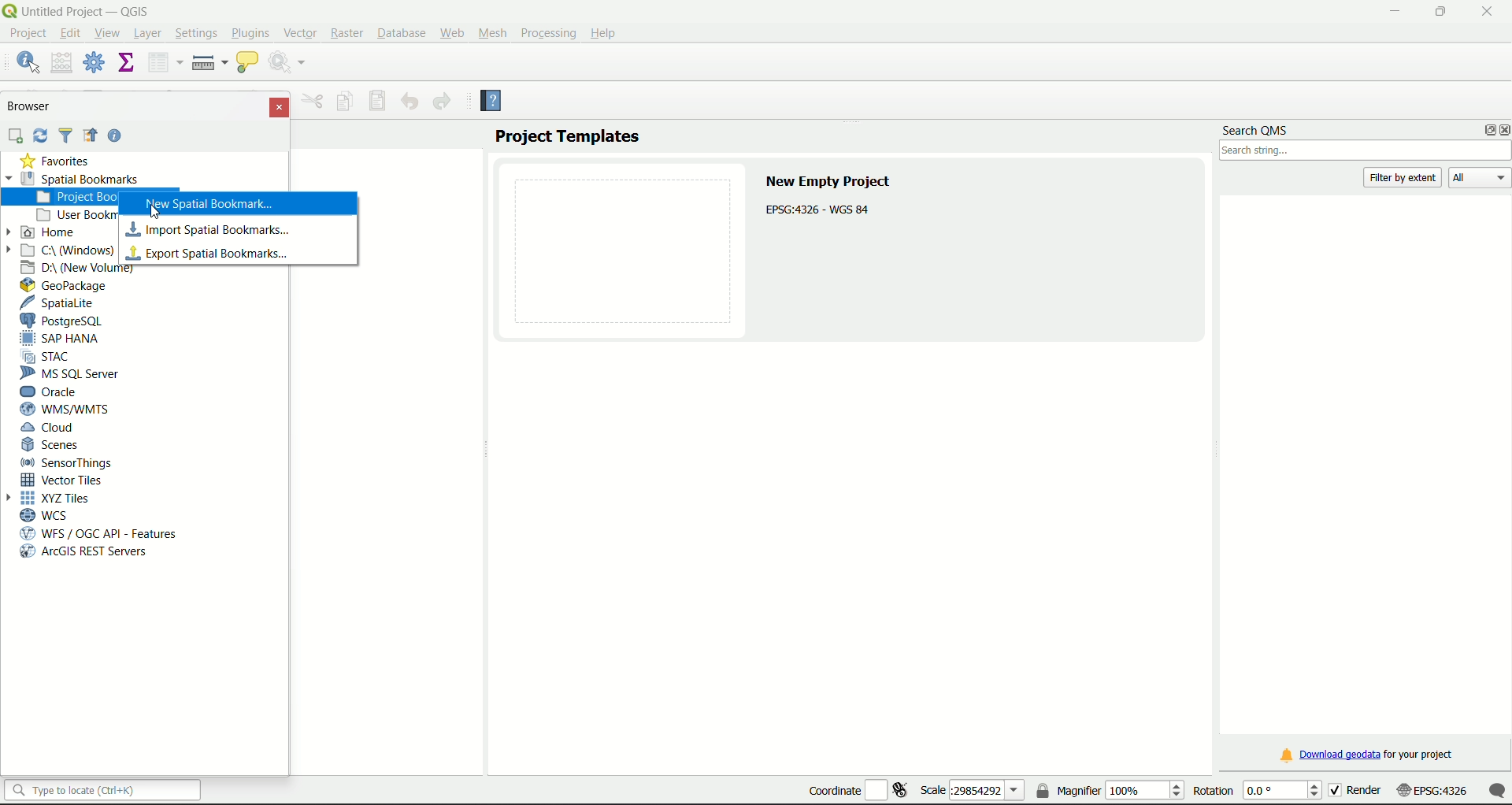 The width and height of the screenshot is (1512, 805). What do you see at coordinates (50, 356) in the screenshot?
I see `STAC` at bounding box center [50, 356].